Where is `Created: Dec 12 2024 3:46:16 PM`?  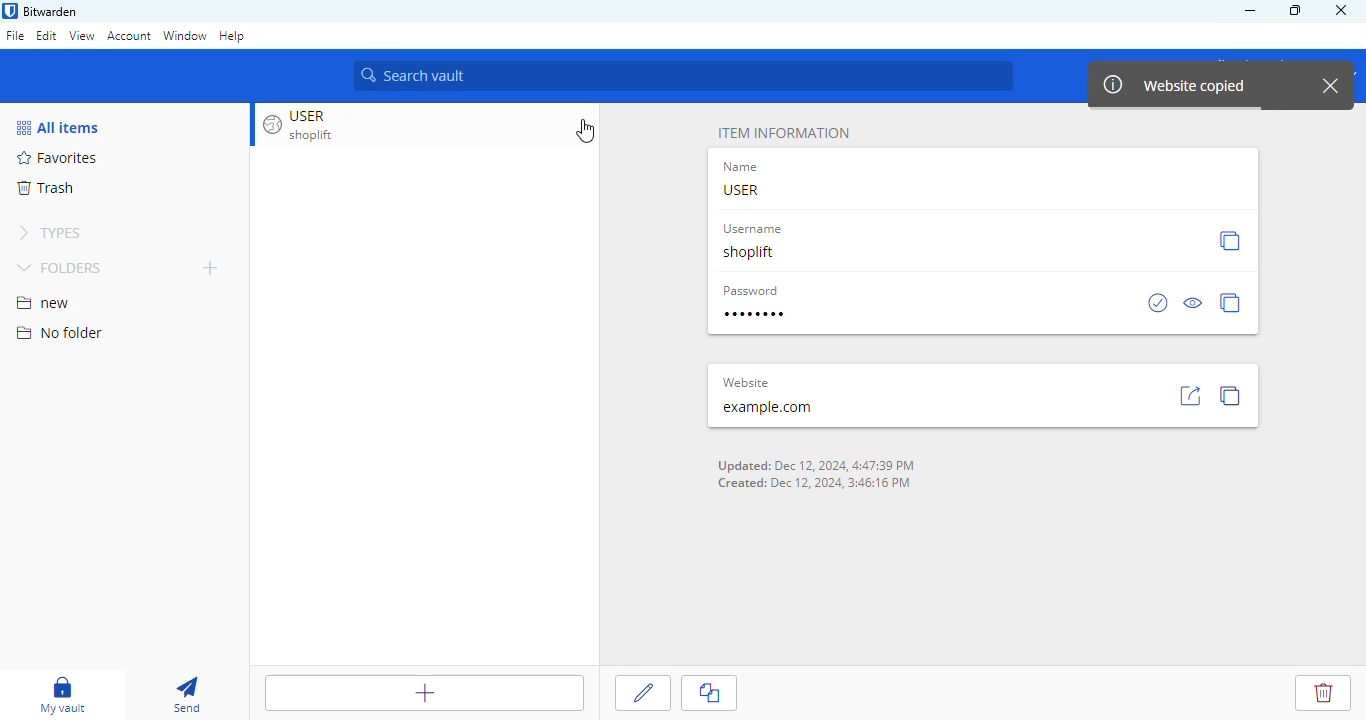
Created: Dec 12 2024 3:46:16 PM is located at coordinates (816, 482).